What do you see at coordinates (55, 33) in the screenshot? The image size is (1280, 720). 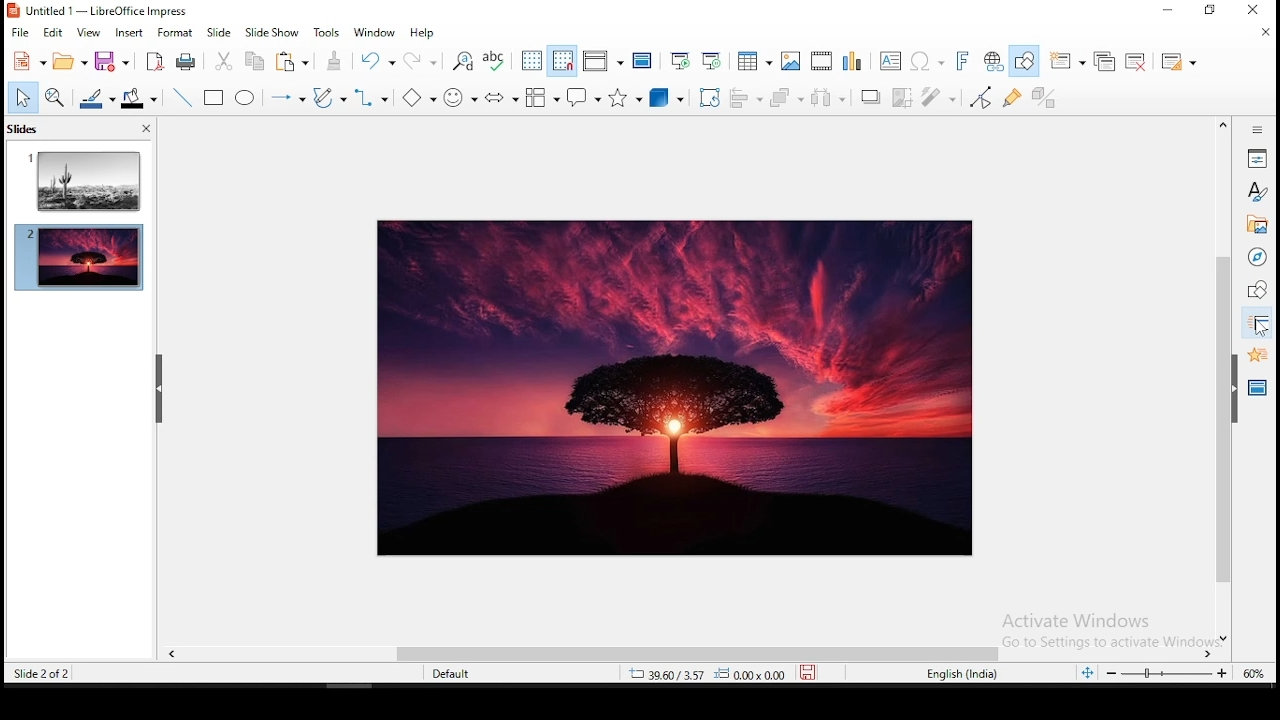 I see `edit` at bounding box center [55, 33].